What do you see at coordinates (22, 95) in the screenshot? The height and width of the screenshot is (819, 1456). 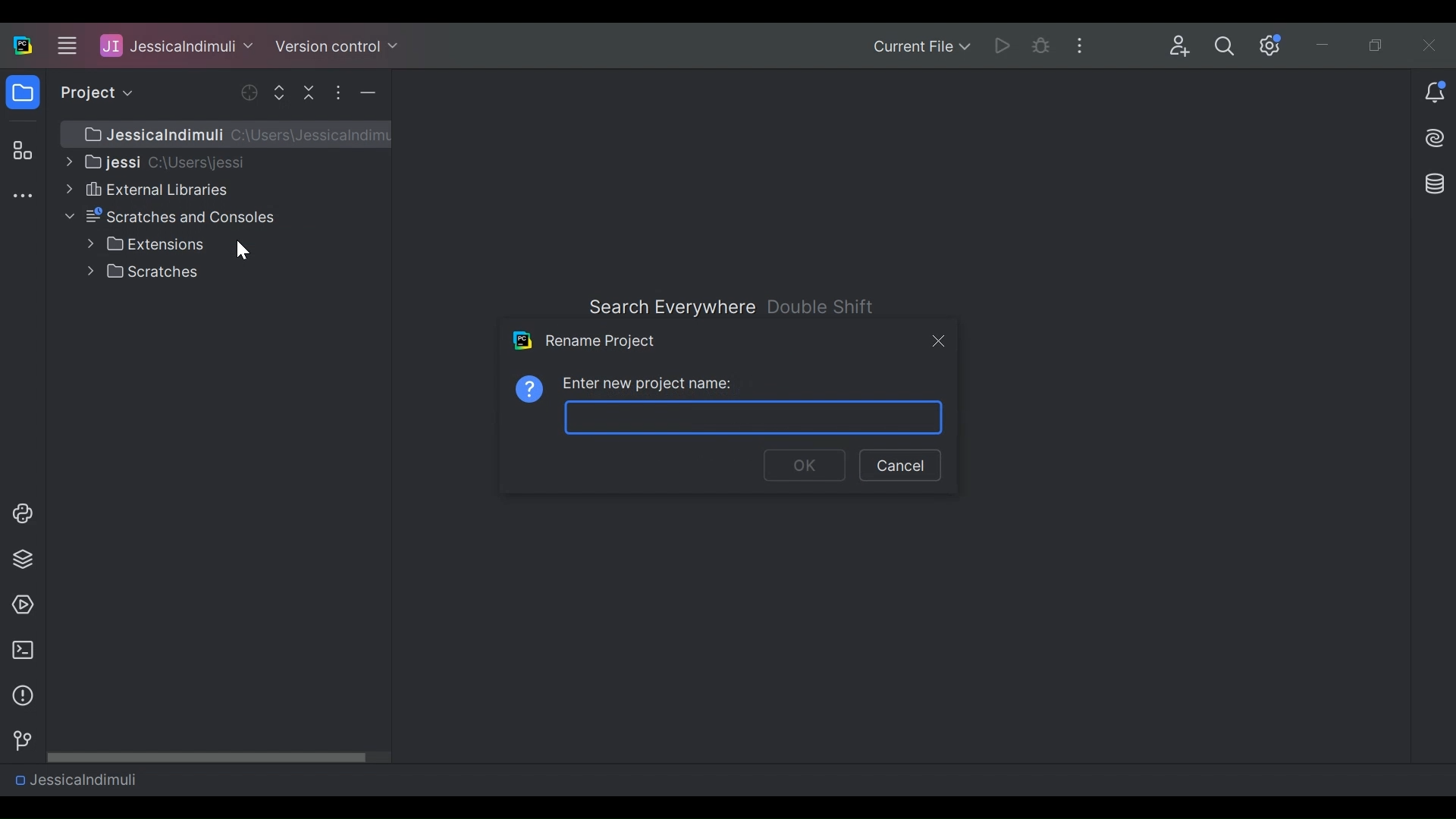 I see `folder` at bounding box center [22, 95].